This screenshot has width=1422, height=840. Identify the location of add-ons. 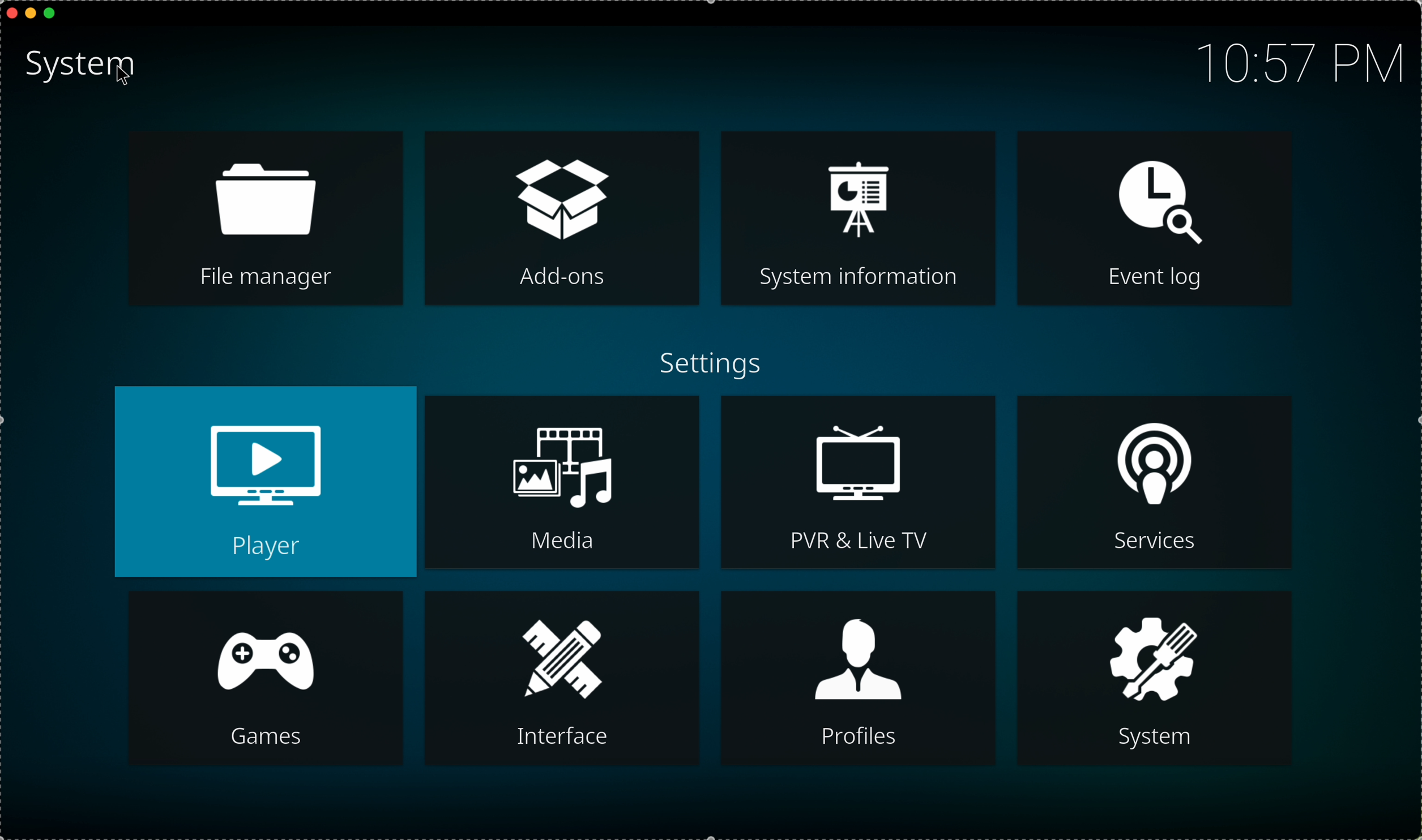
(562, 220).